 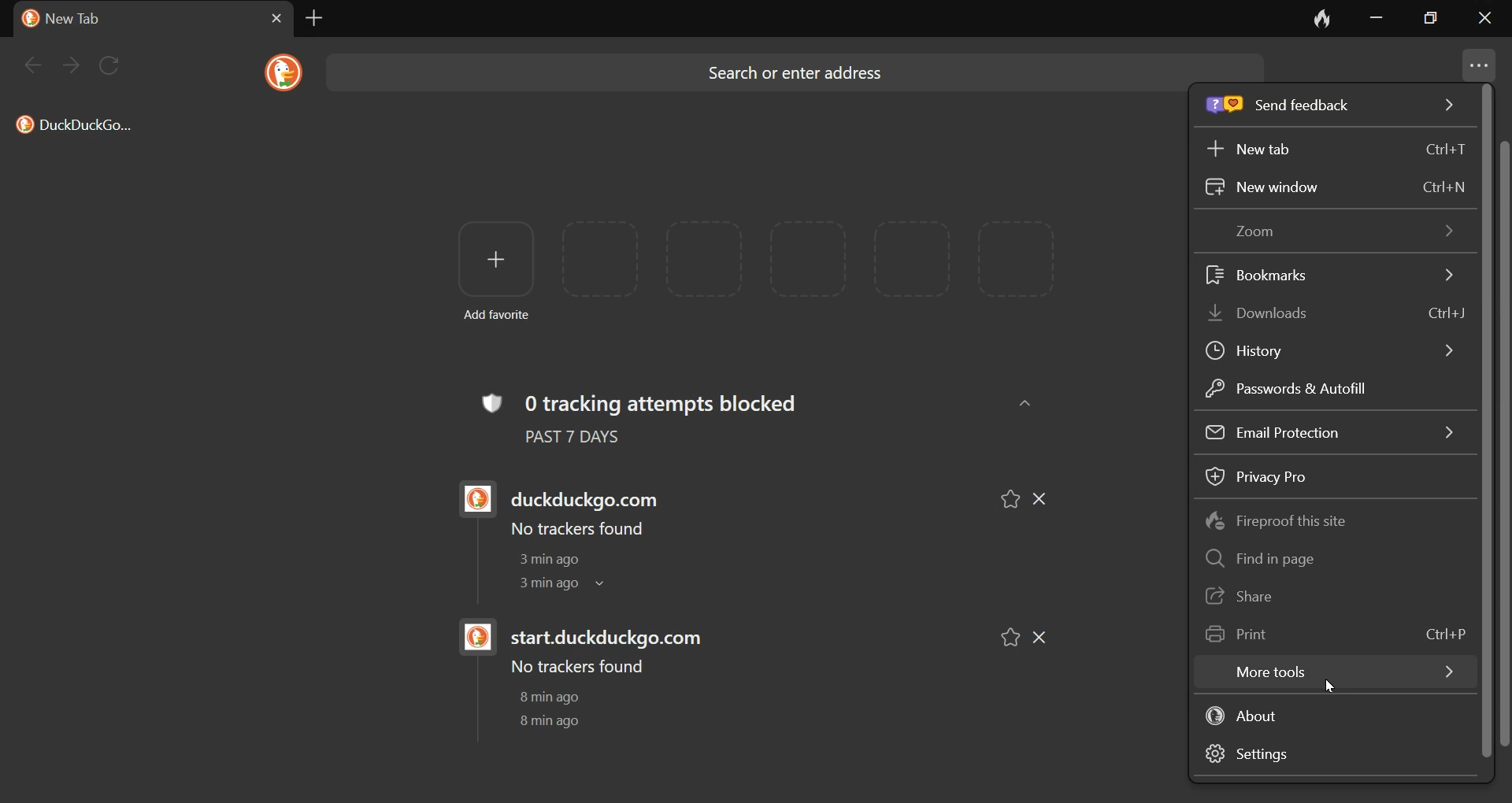 I want to click on restore down, so click(x=1437, y=21).